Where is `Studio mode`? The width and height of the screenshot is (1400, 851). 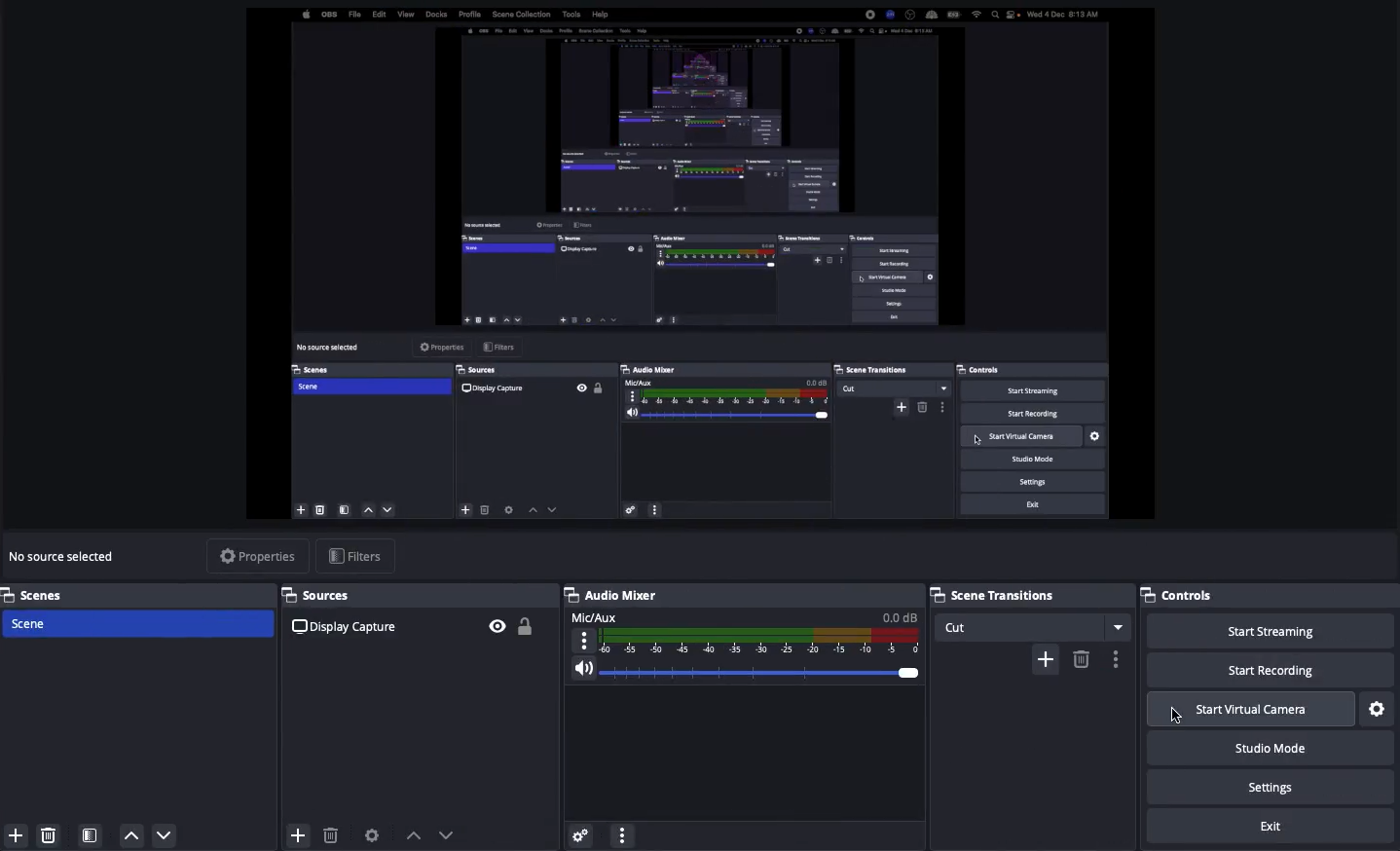
Studio mode is located at coordinates (1268, 746).